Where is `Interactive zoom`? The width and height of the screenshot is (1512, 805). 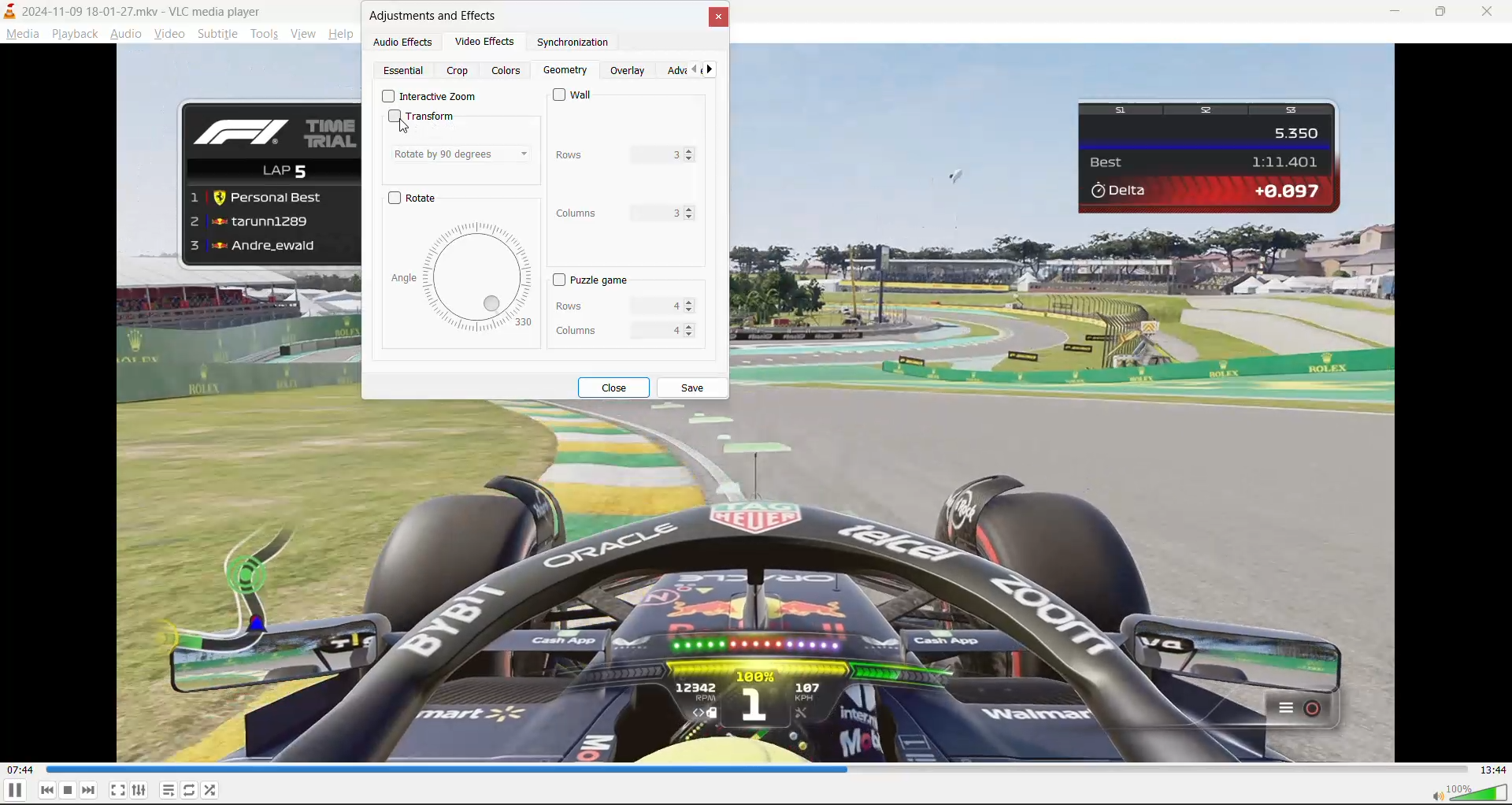 Interactive zoom is located at coordinates (430, 95).